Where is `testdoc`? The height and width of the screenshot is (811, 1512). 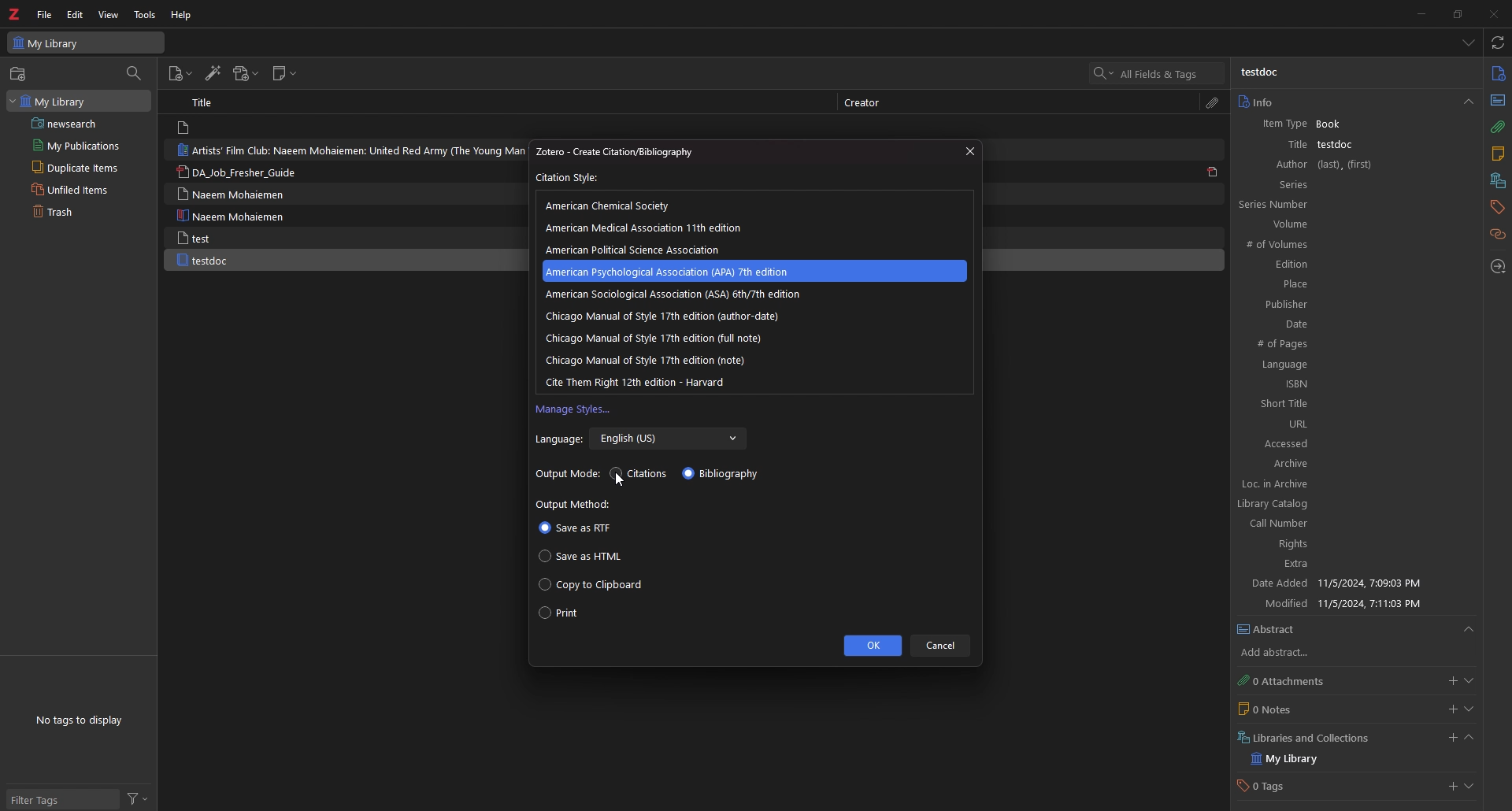
testdoc is located at coordinates (1338, 144).